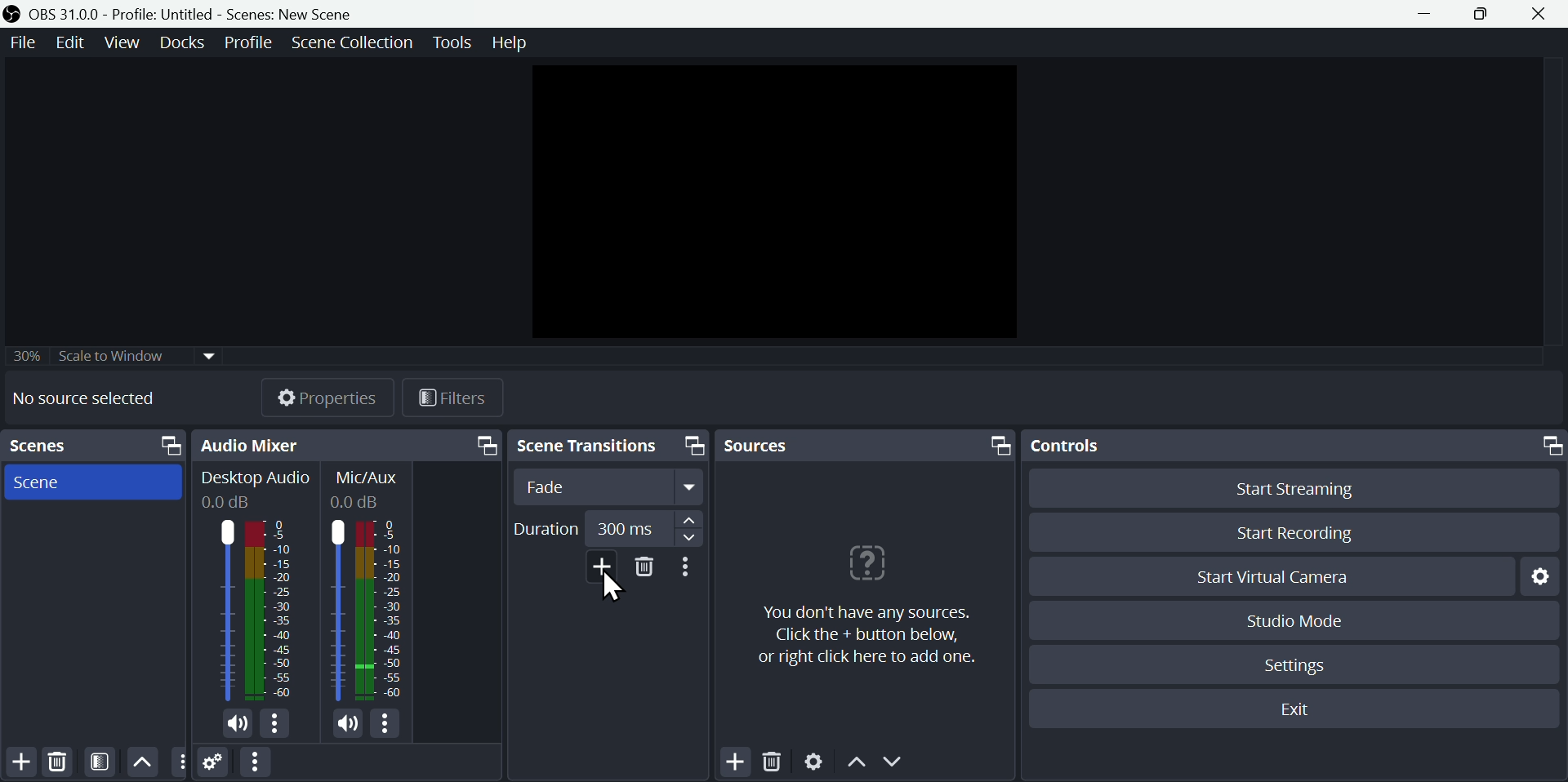  I want to click on Down, so click(899, 764).